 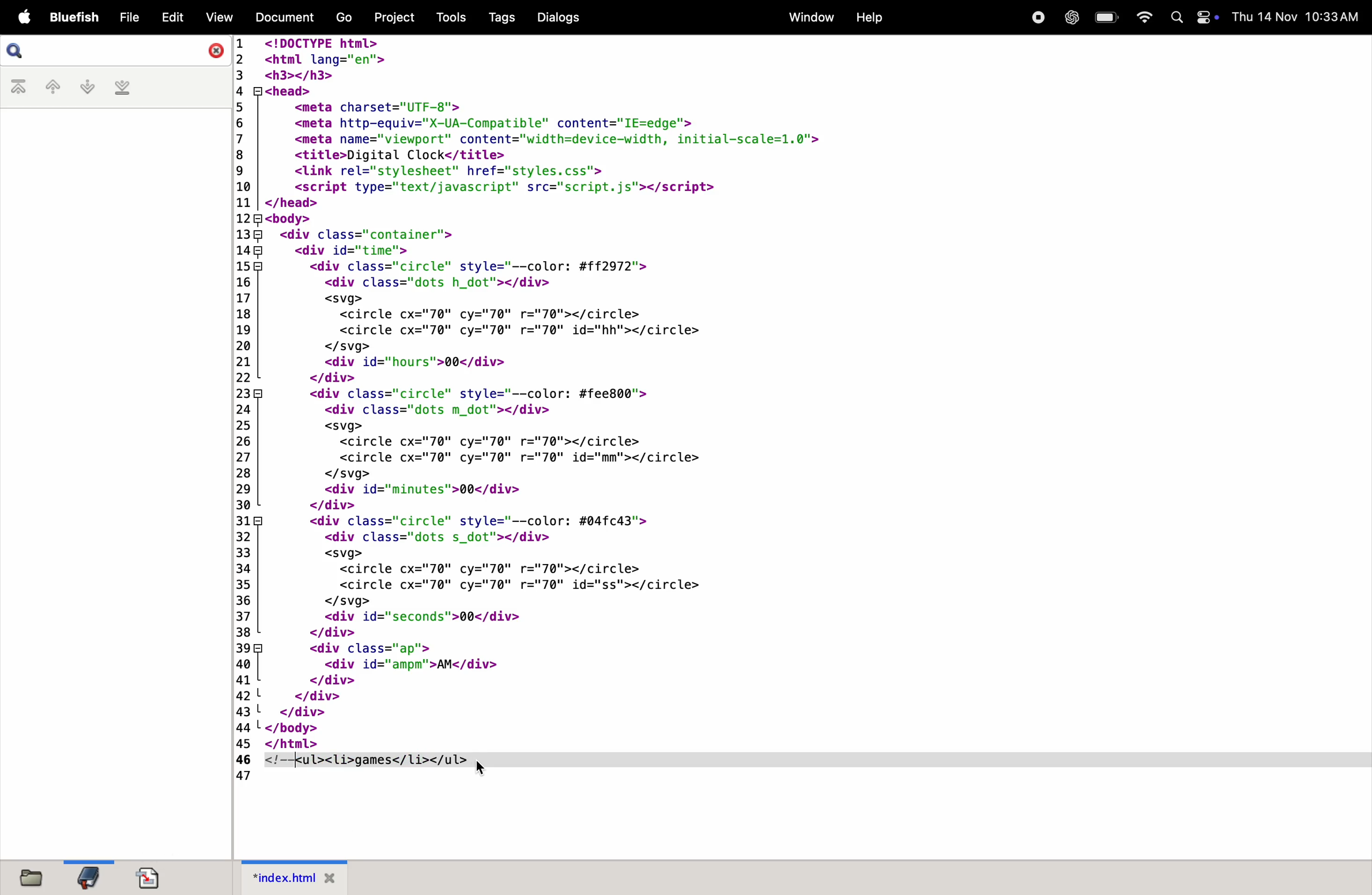 I want to click on tools, so click(x=446, y=16).